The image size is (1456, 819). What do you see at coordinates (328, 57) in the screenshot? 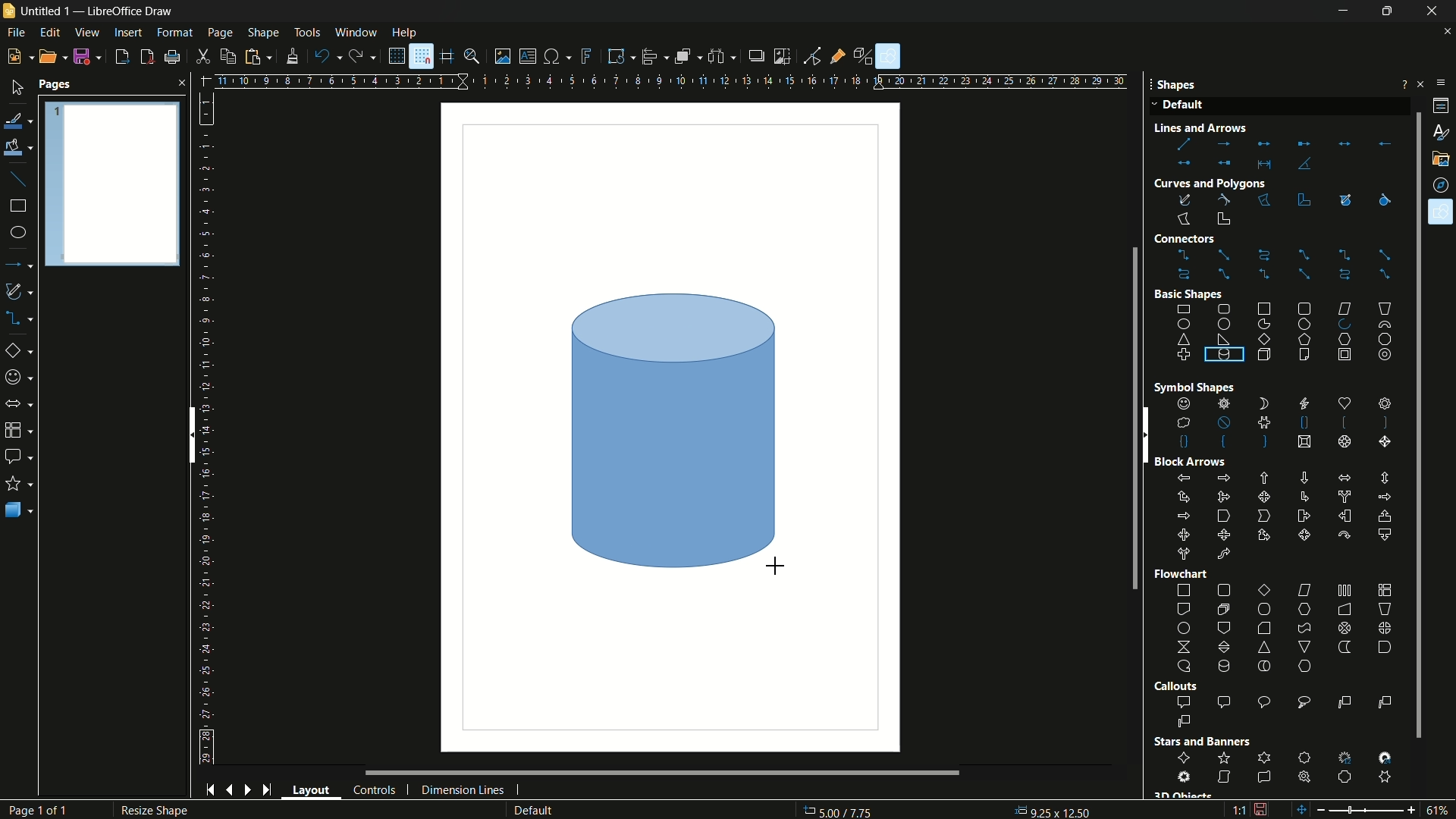
I see `undo` at bounding box center [328, 57].